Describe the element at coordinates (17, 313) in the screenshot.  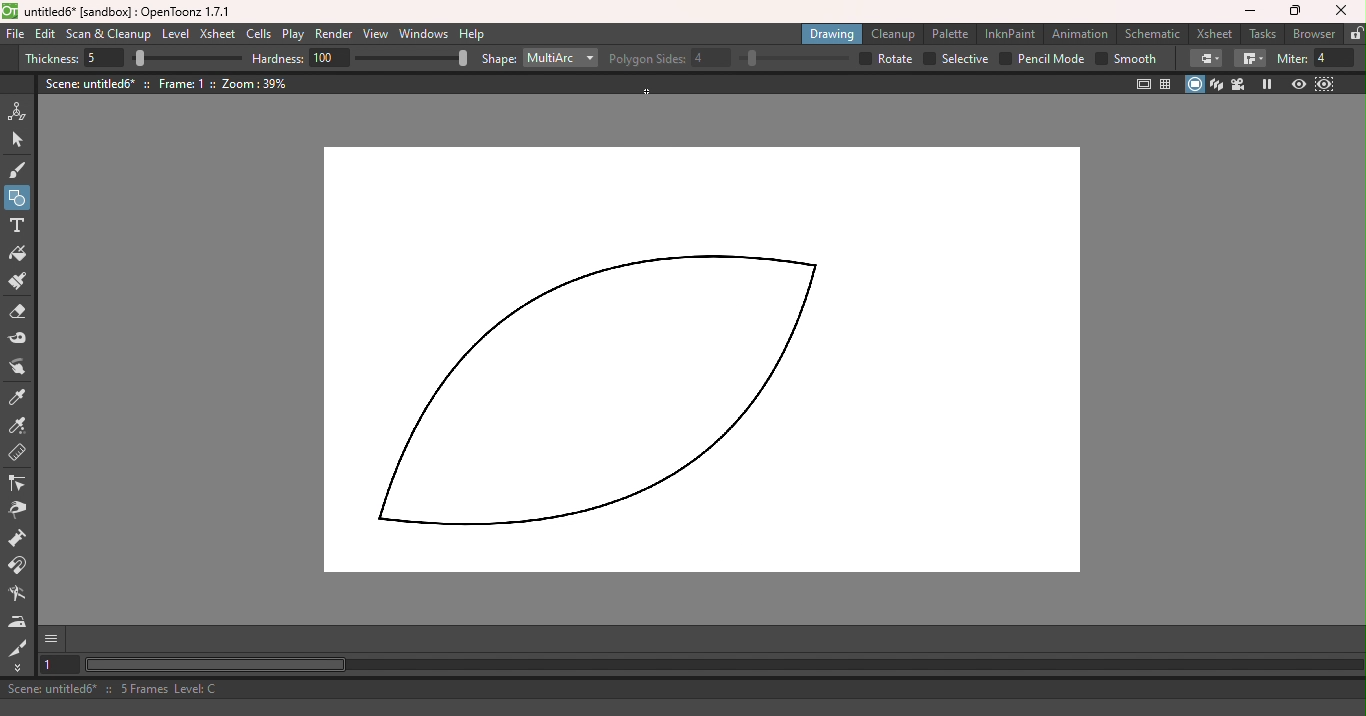
I see `Eraser tool` at that location.